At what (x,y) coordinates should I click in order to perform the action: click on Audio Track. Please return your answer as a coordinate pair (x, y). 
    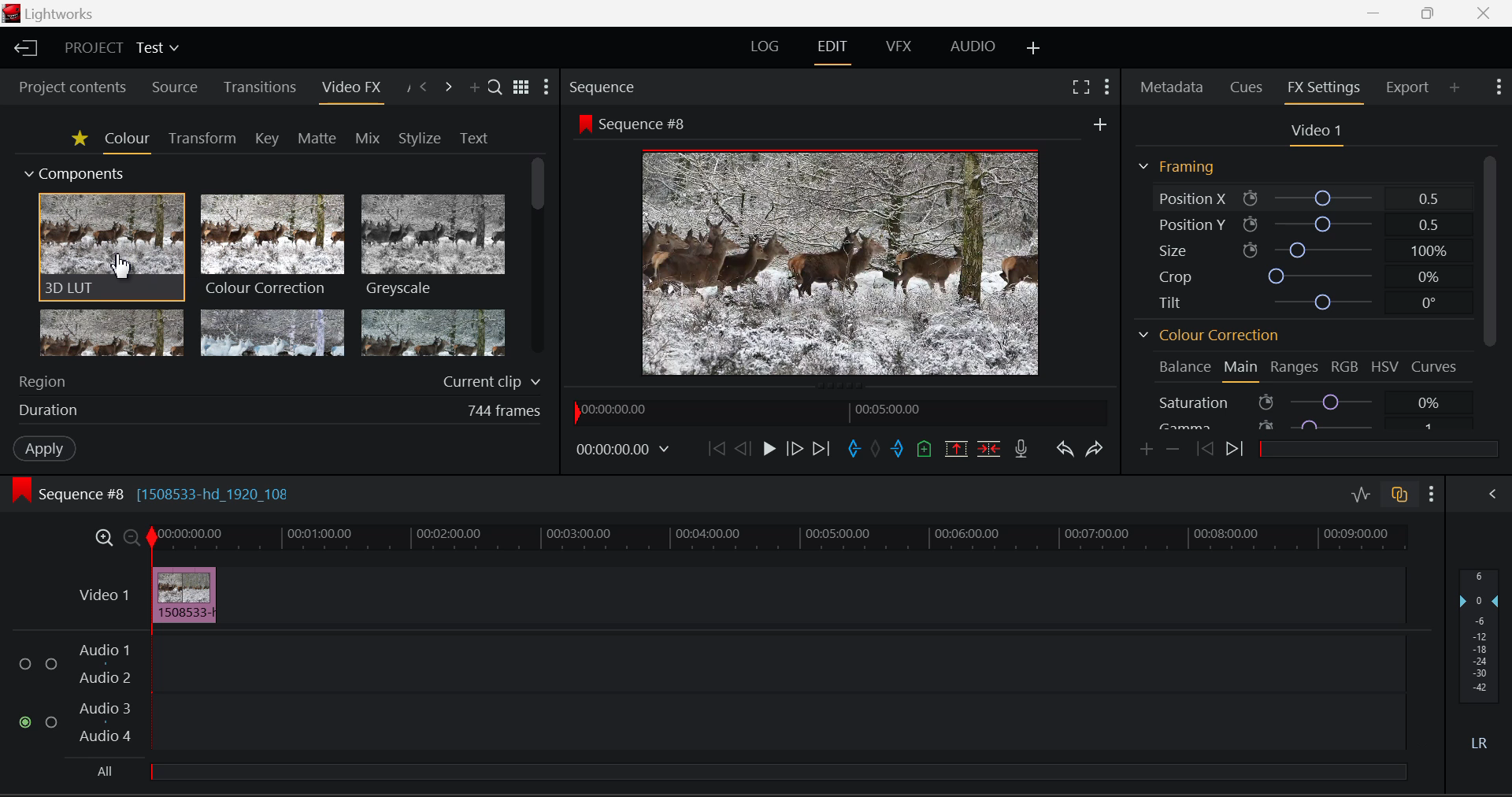
    Looking at the image, I should click on (779, 720).